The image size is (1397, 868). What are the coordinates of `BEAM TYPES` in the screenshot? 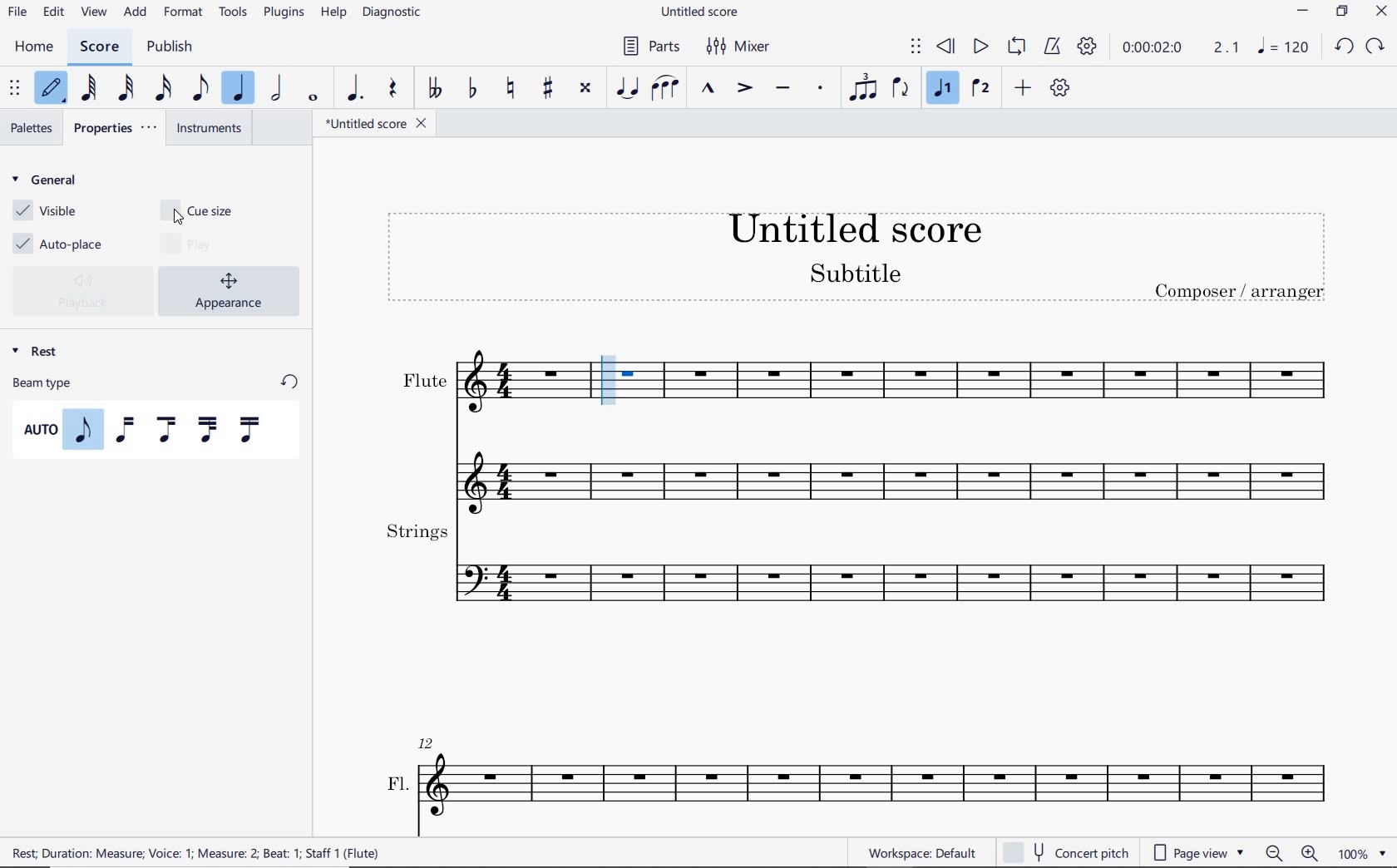 It's located at (149, 430).